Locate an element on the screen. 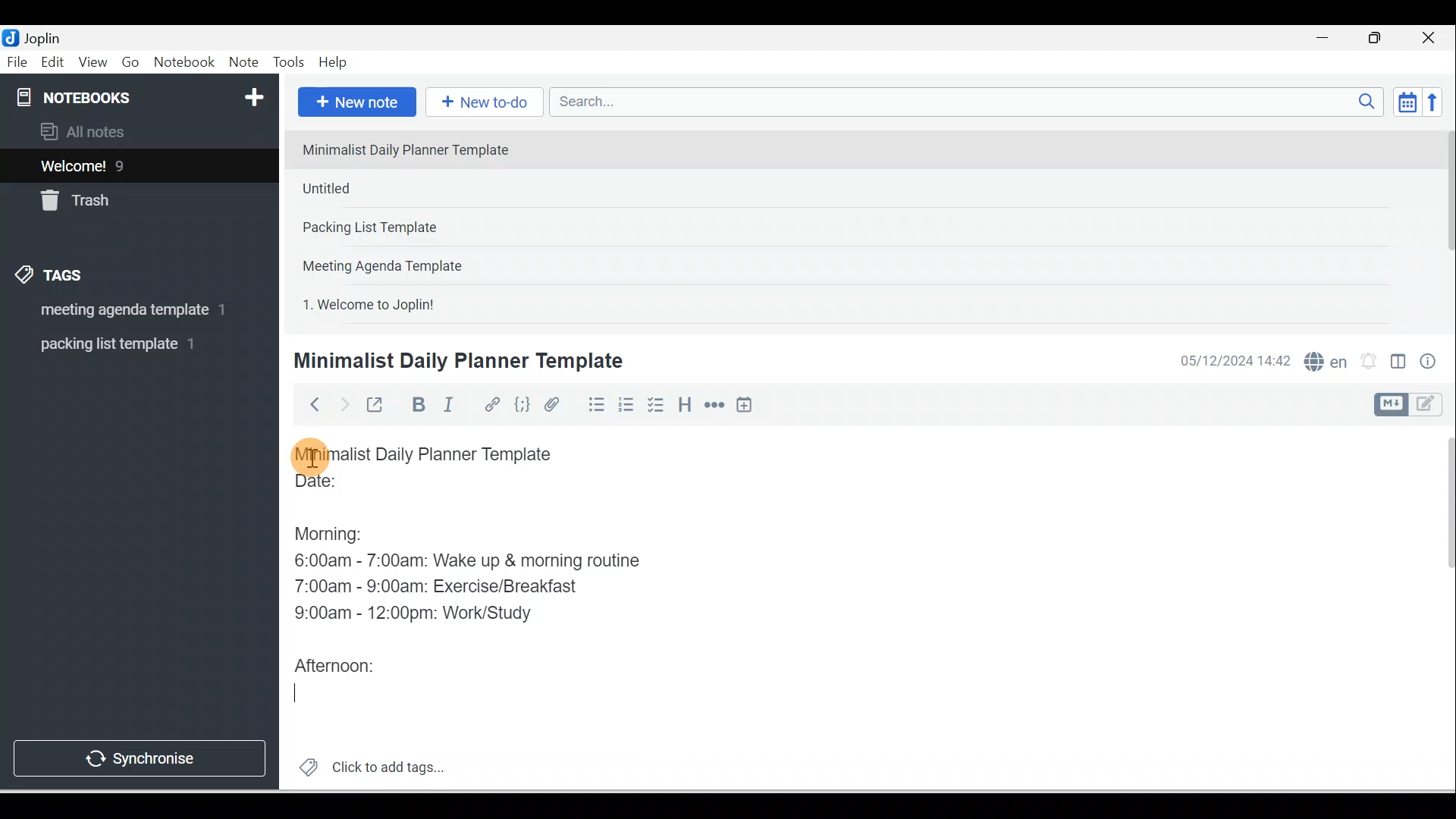 The height and width of the screenshot is (819, 1456). Synchronise is located at coordinates (138, 755).